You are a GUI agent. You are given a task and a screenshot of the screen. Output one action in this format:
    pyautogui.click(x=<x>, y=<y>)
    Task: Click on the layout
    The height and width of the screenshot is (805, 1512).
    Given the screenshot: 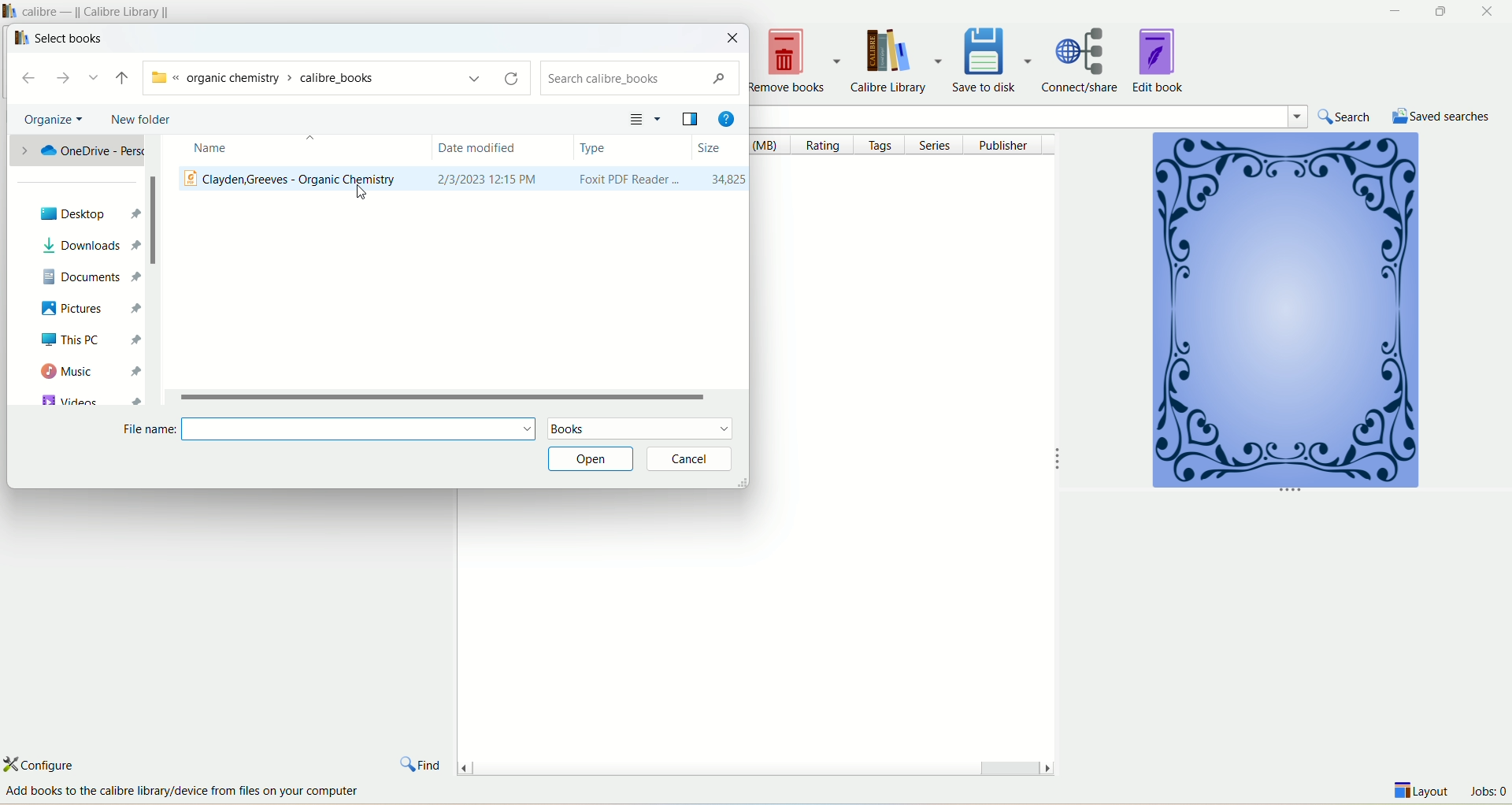 What is the action you would take?
    pyautogui.click(x=1423, y=793)
    